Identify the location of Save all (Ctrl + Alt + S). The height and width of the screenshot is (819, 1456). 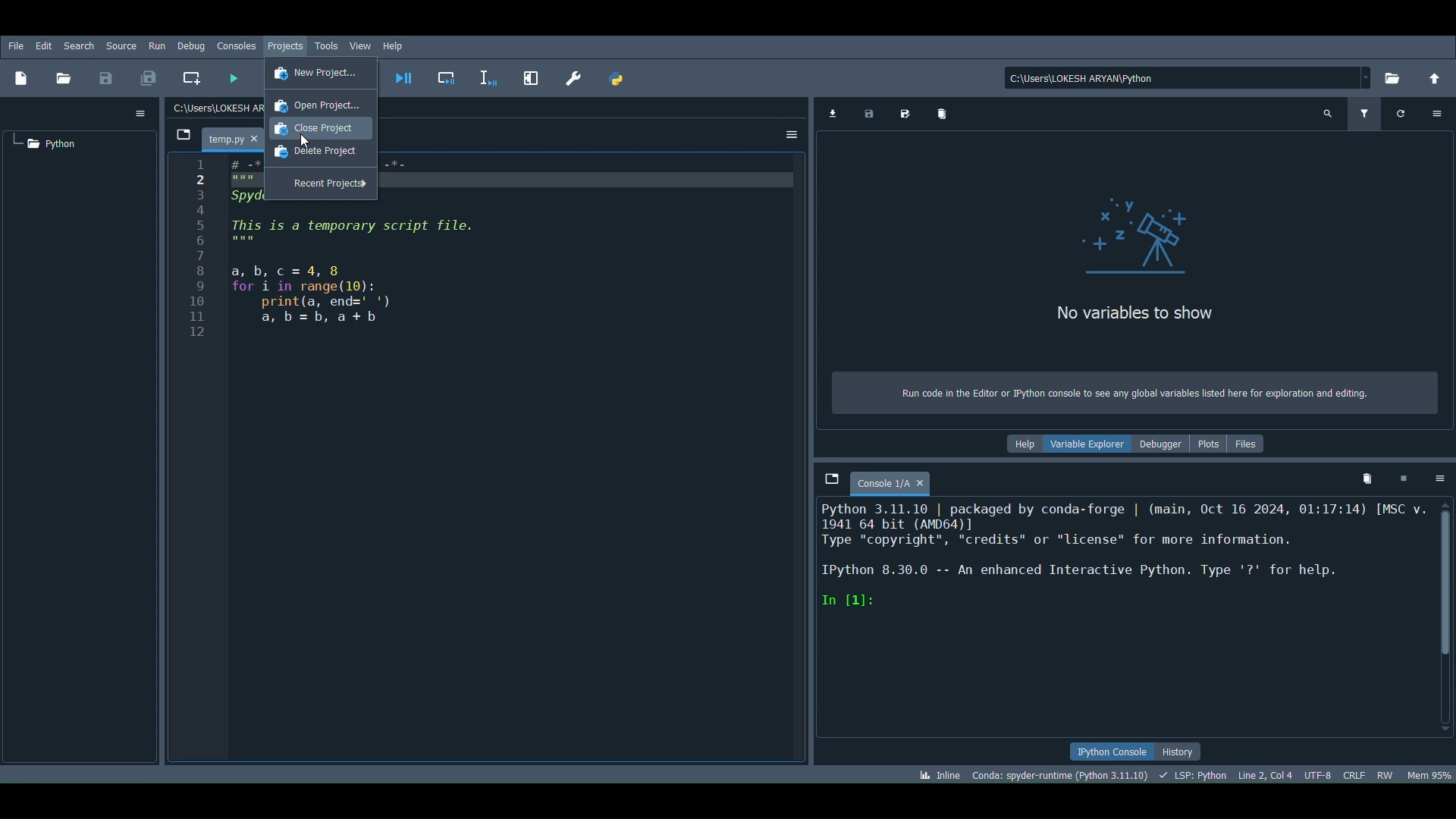
(153, 76).